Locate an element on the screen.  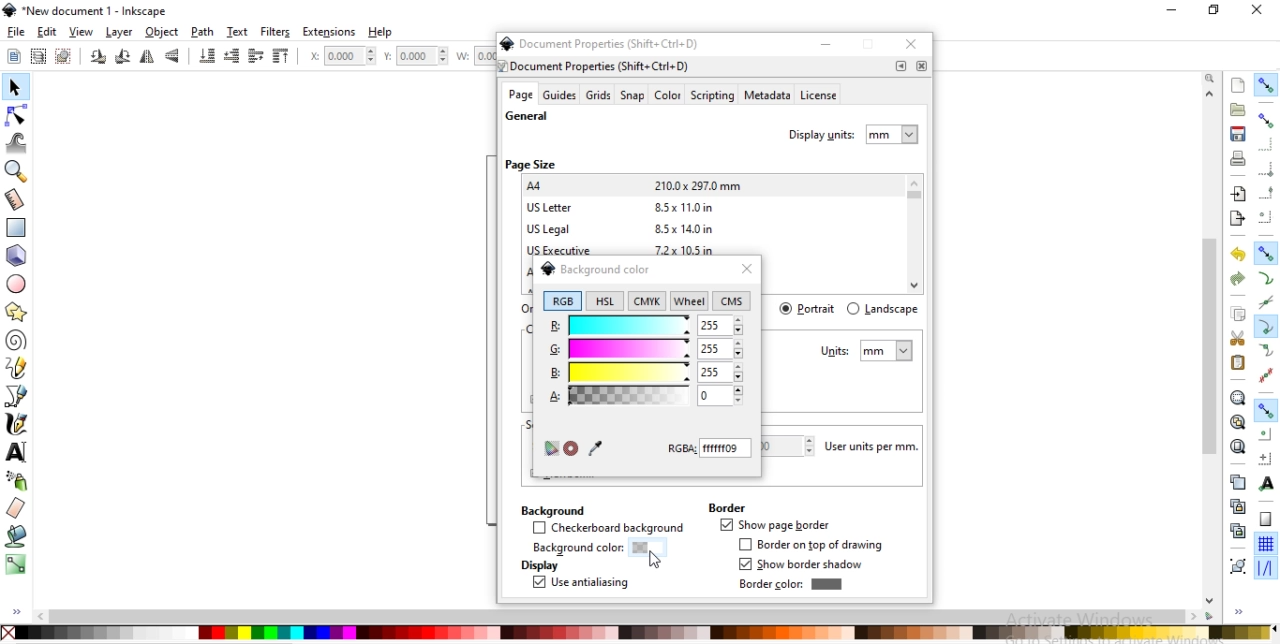
3d boxes is located at coordinates (16, 256).